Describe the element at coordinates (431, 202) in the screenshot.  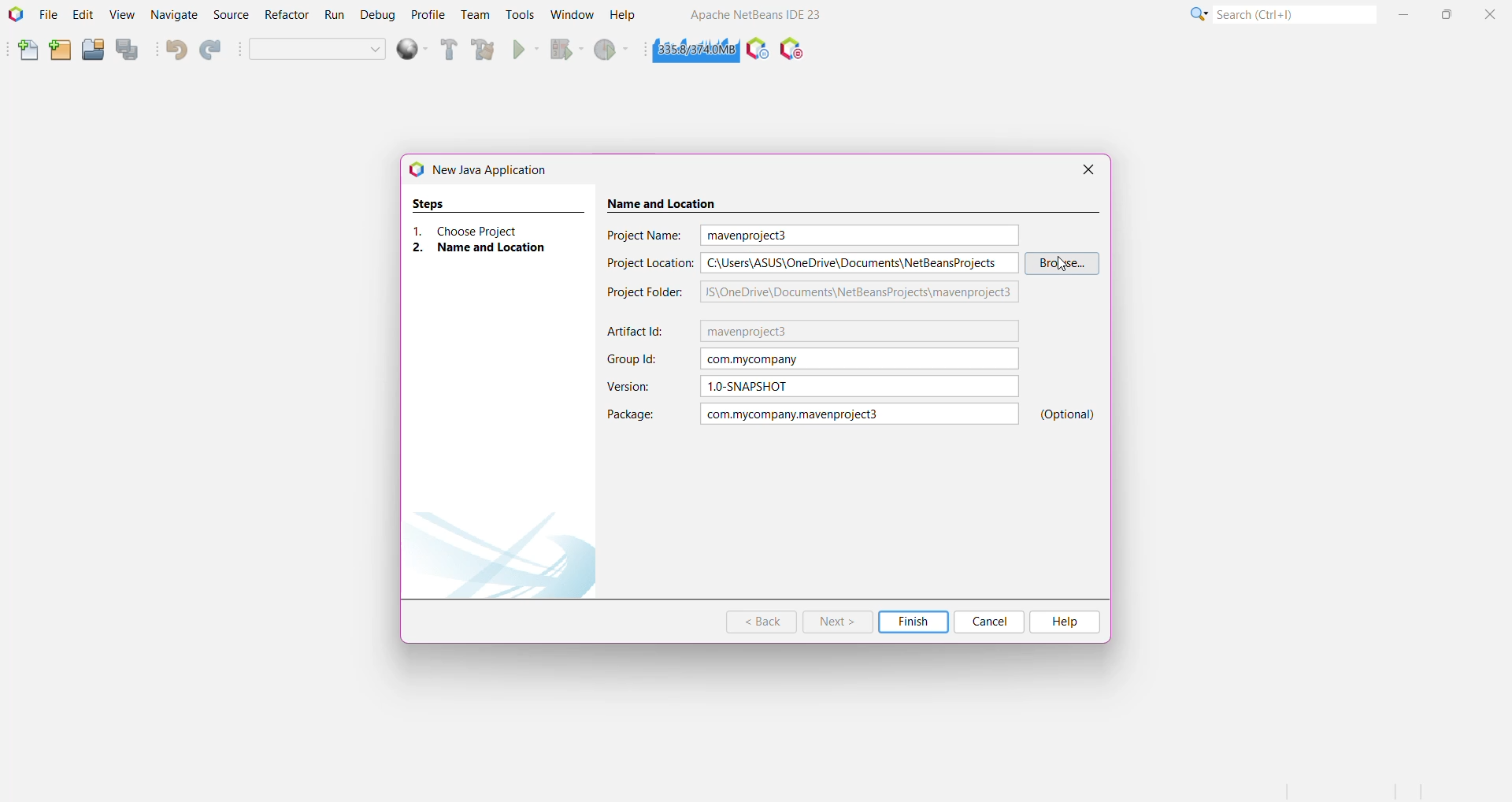
I see `Steps` at that location.